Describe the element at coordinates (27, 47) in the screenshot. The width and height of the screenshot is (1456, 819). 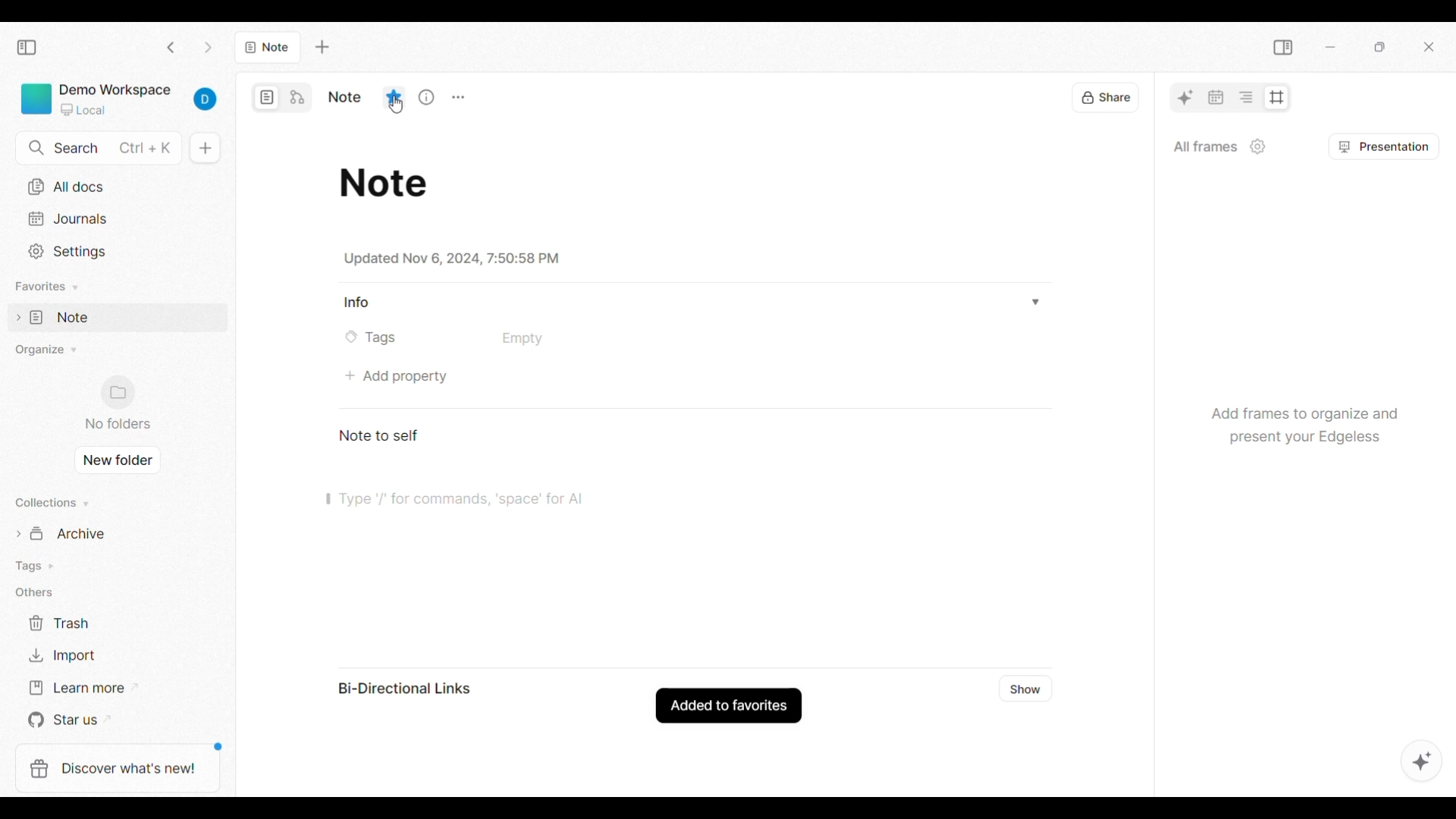
I see `Collapse left sidebar` at that location.